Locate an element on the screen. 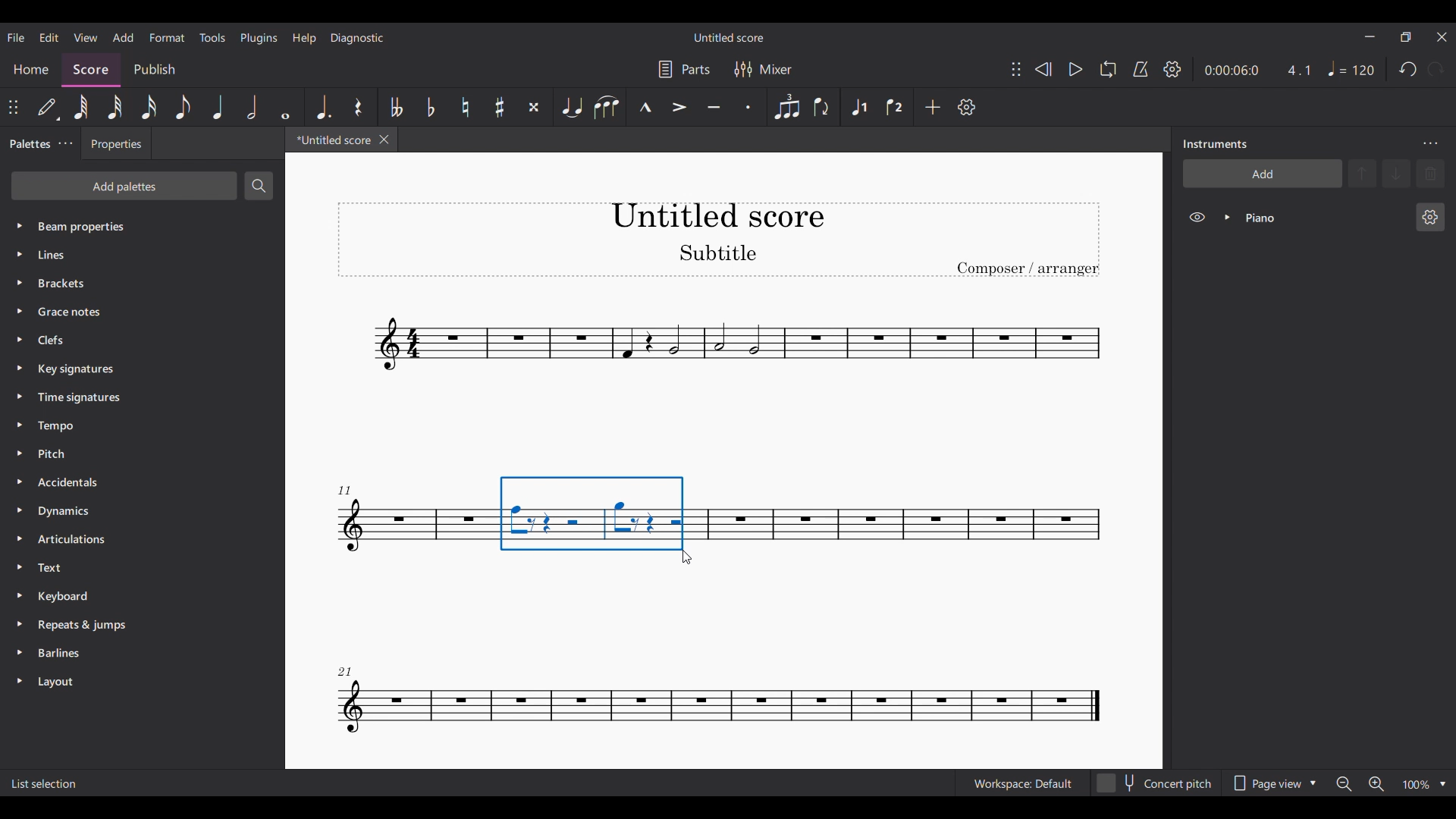 The image size is (1456, 819). Tie is located at coordinates (573, 107).